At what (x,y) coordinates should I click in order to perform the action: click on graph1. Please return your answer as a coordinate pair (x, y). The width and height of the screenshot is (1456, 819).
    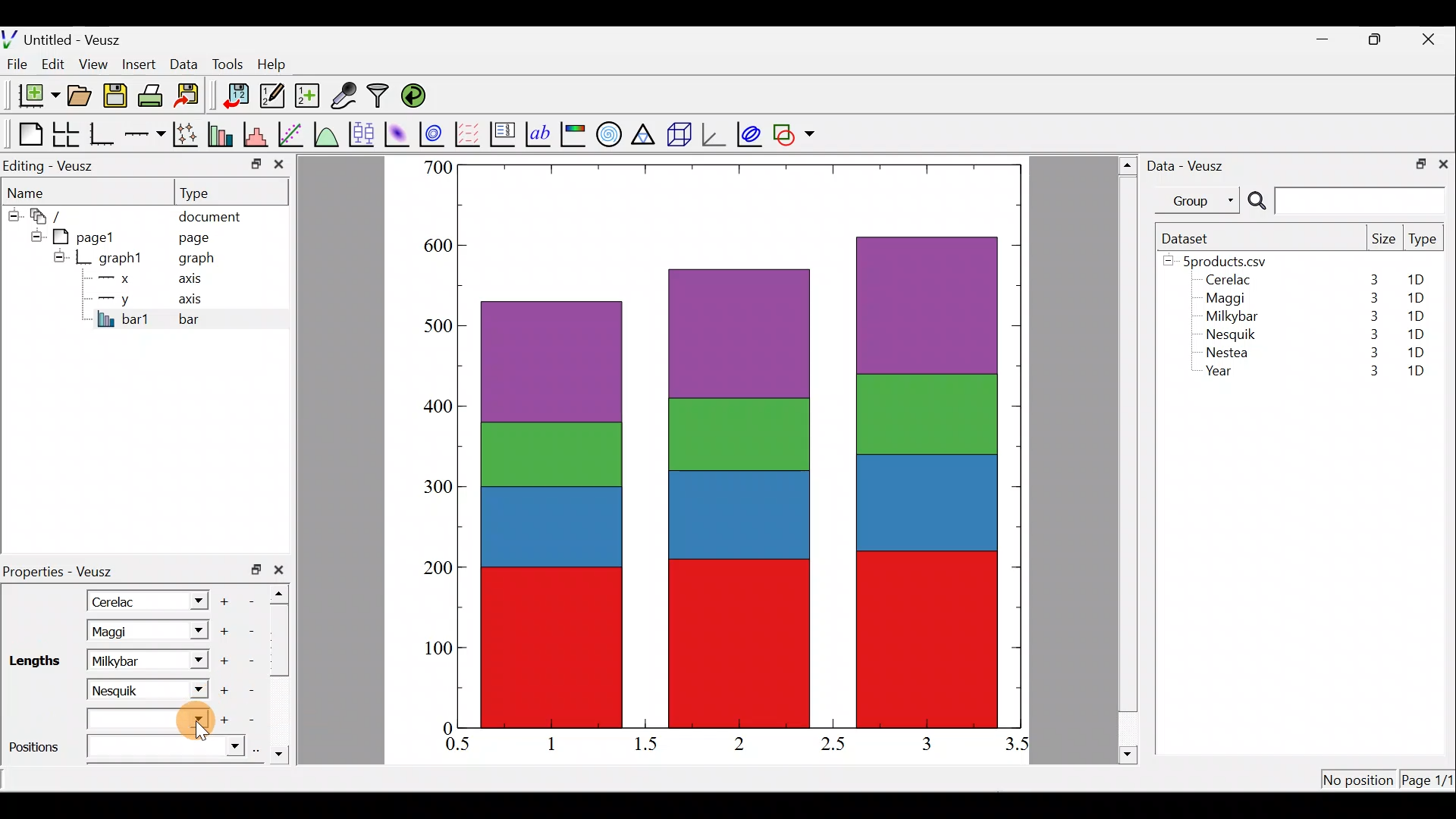
    Looking at the image, I should click on (121, 259).